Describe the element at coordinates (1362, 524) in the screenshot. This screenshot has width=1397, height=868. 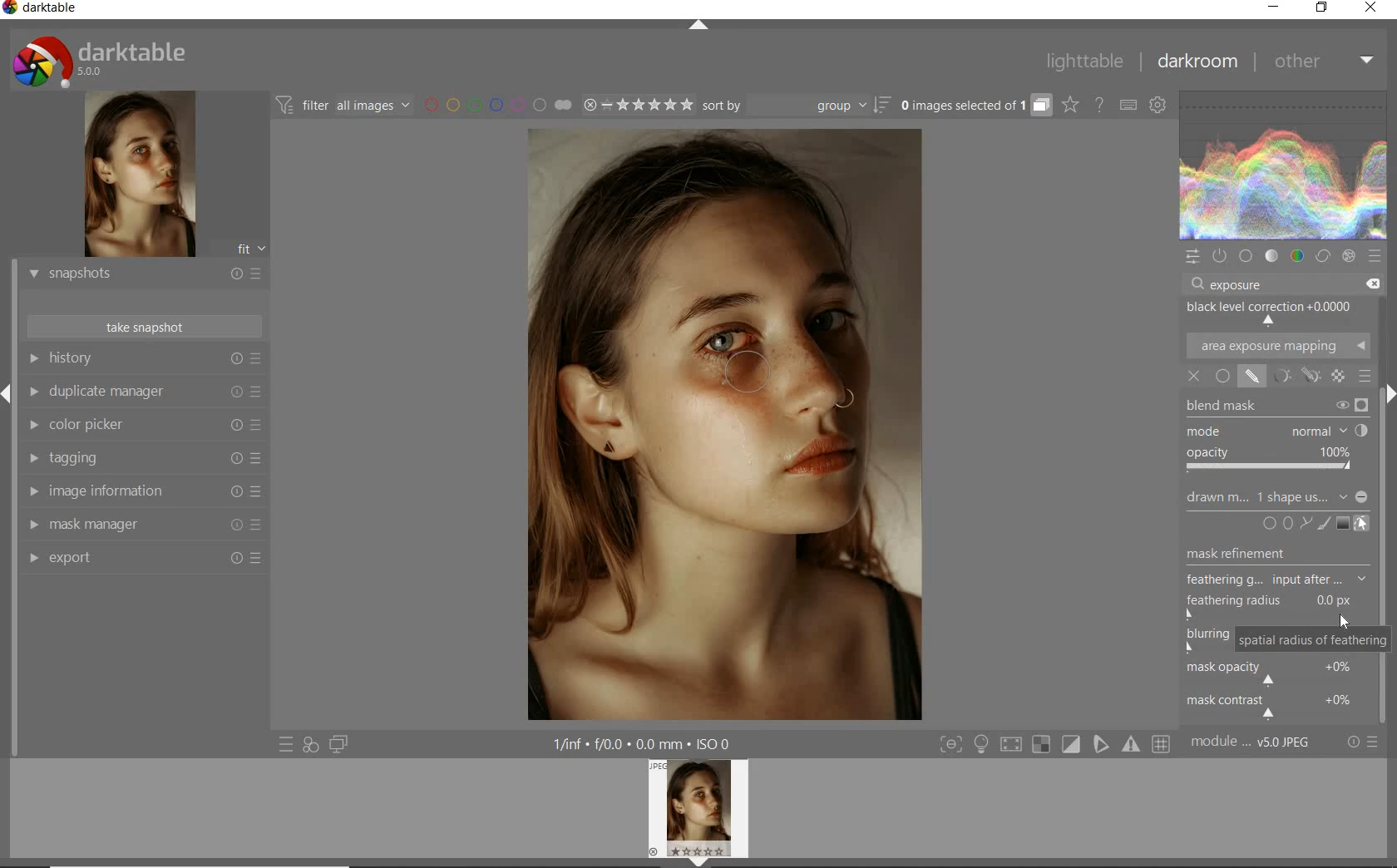
I see `SHOW AND EDIT MASK ELEMENT` at that location.